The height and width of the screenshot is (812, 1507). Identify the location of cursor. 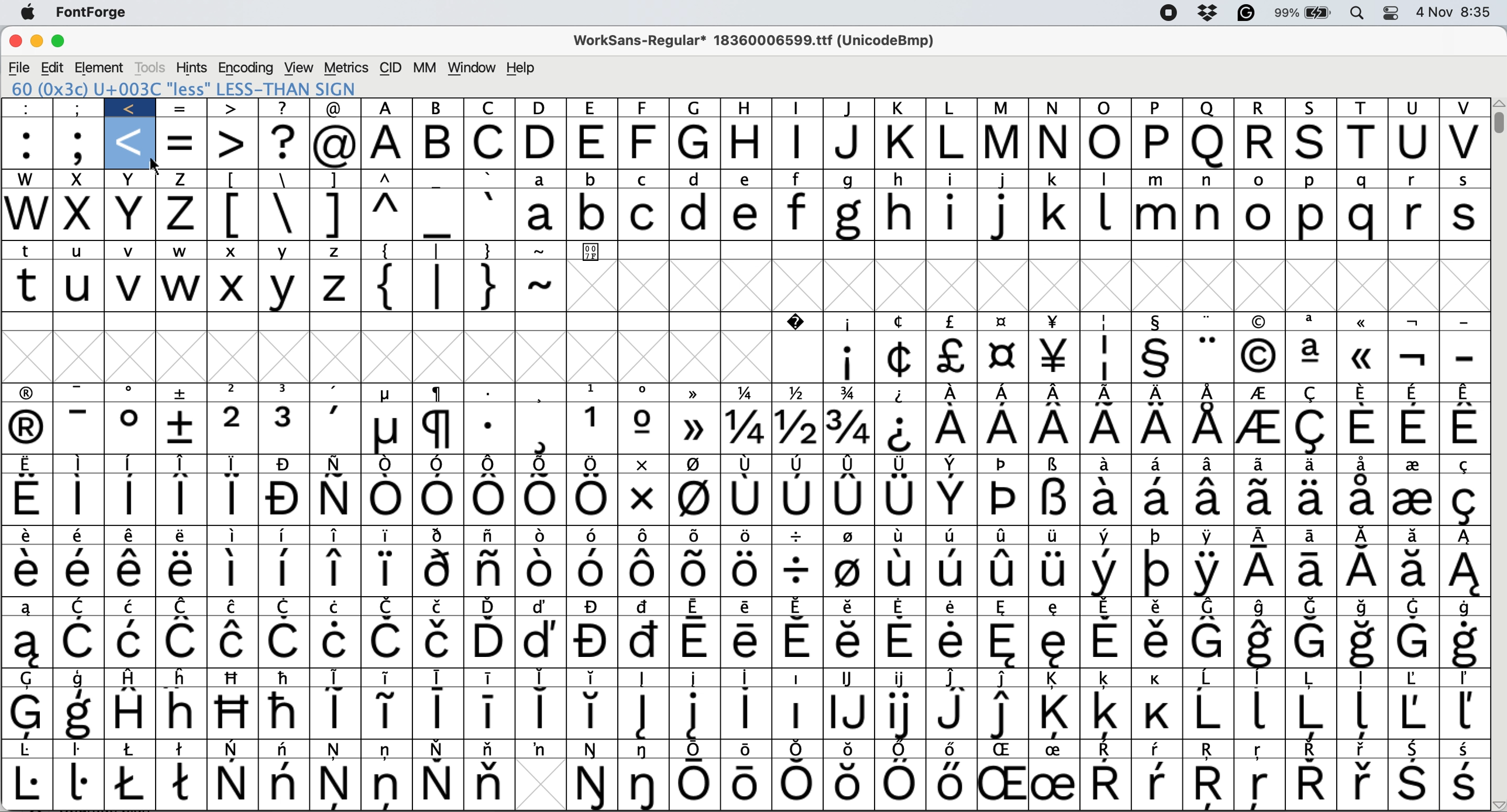
(154, 166).